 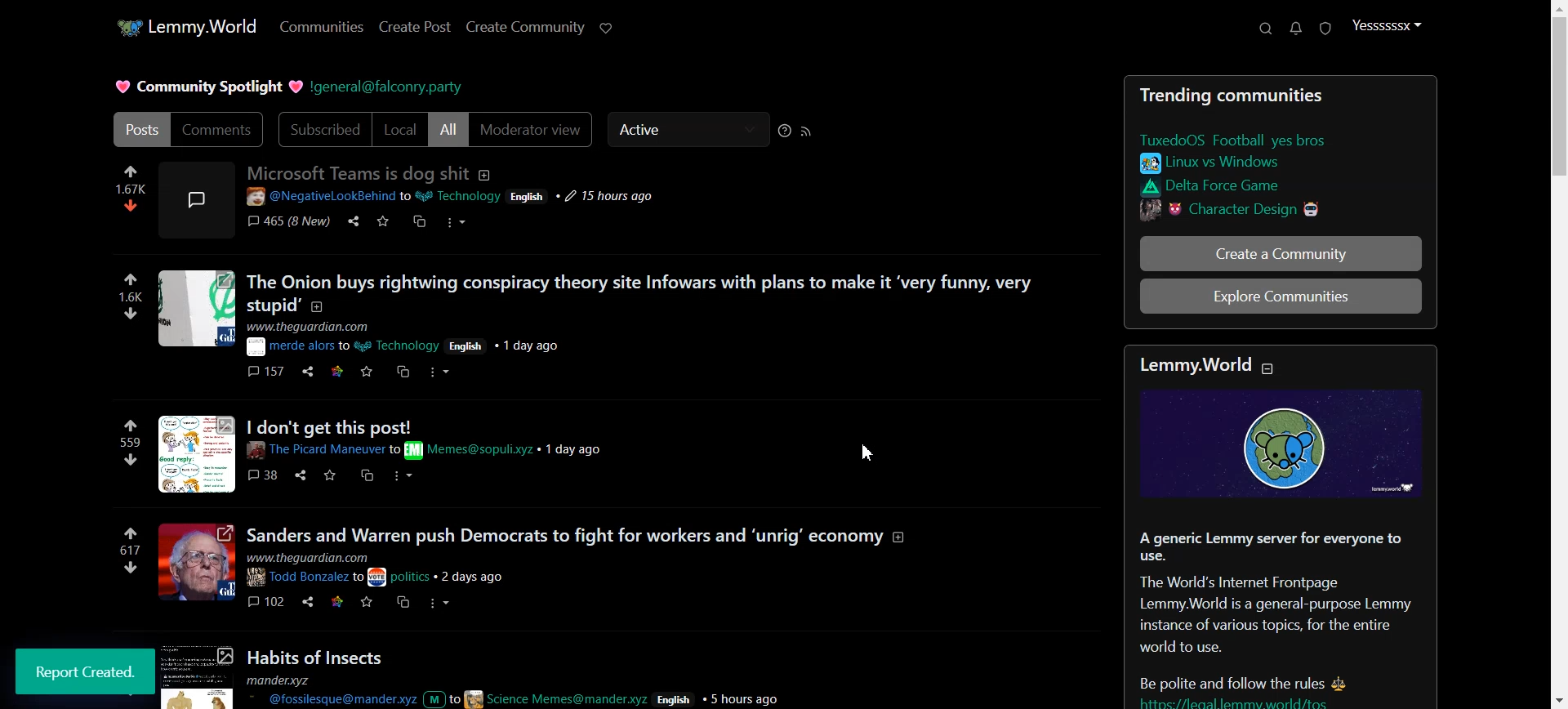 I want to click on posts, so click(x=644, y=312).